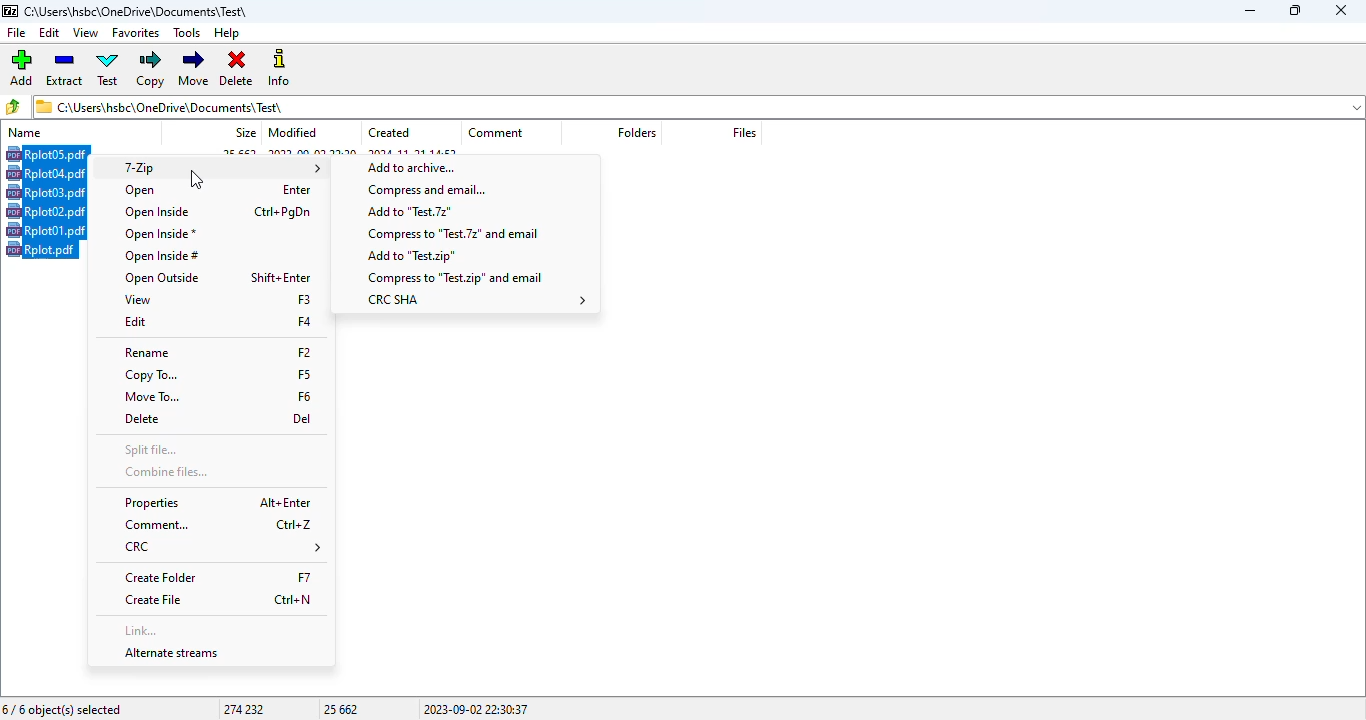 The image size is (1366, 720). What do you see at coordinates (196, 181) in the screenshot?
I see `cursor` at bounding box center [196, 181].